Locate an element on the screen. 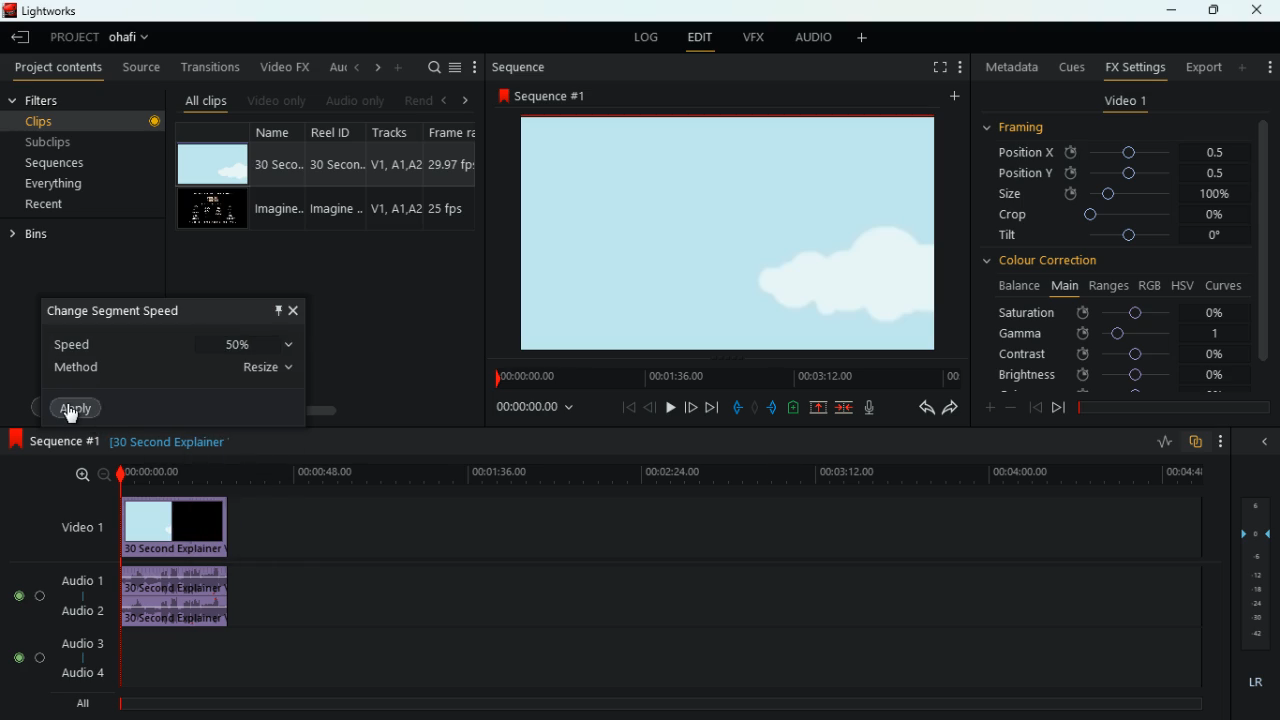 The height and width of the screenshot is (720, 1280). vertical scroll bar is located at coordinates (1264, 239).